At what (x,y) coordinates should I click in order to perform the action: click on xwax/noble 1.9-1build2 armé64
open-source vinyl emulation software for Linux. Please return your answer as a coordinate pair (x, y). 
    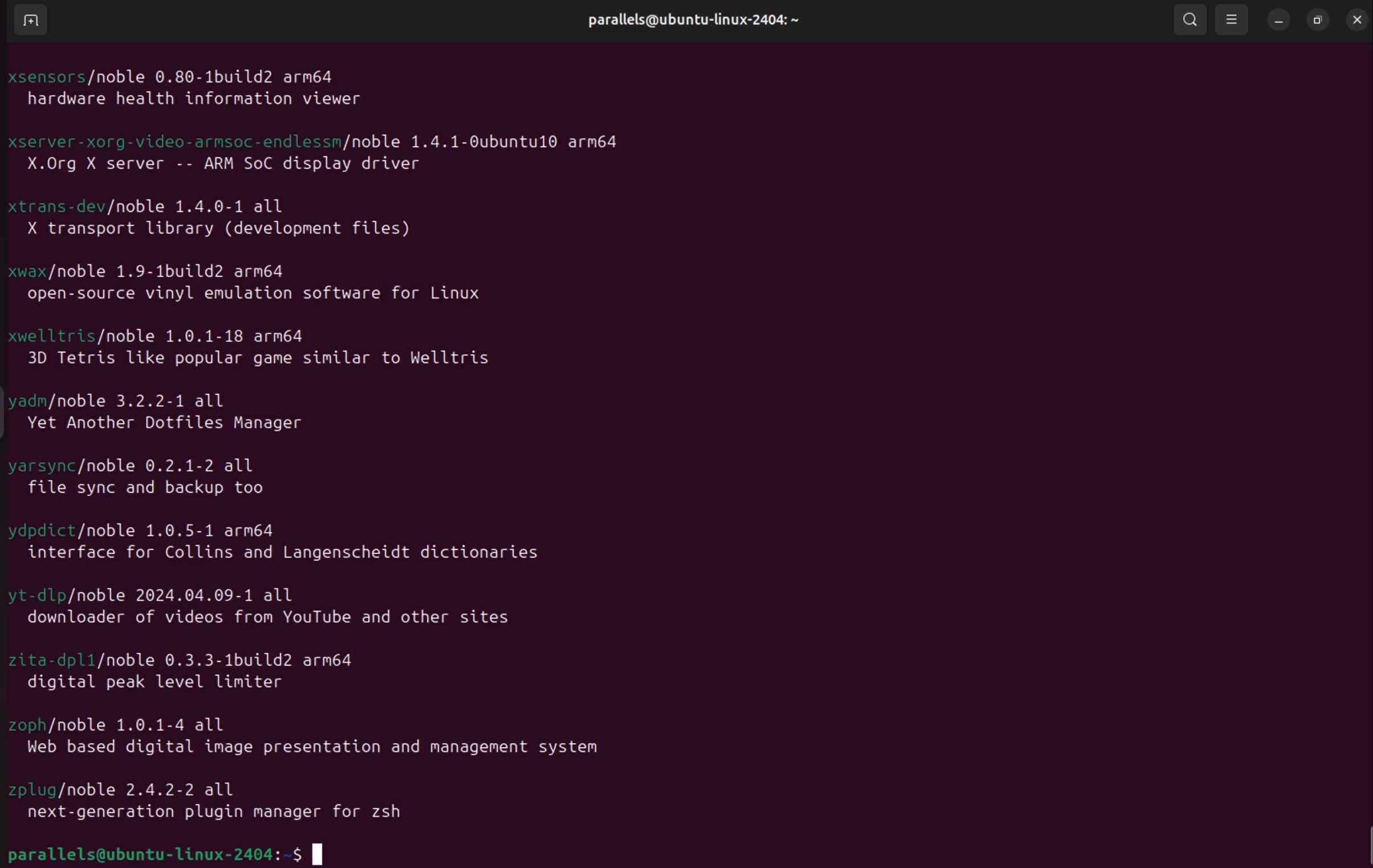
    Looking at the image, I should click on (267, 286).